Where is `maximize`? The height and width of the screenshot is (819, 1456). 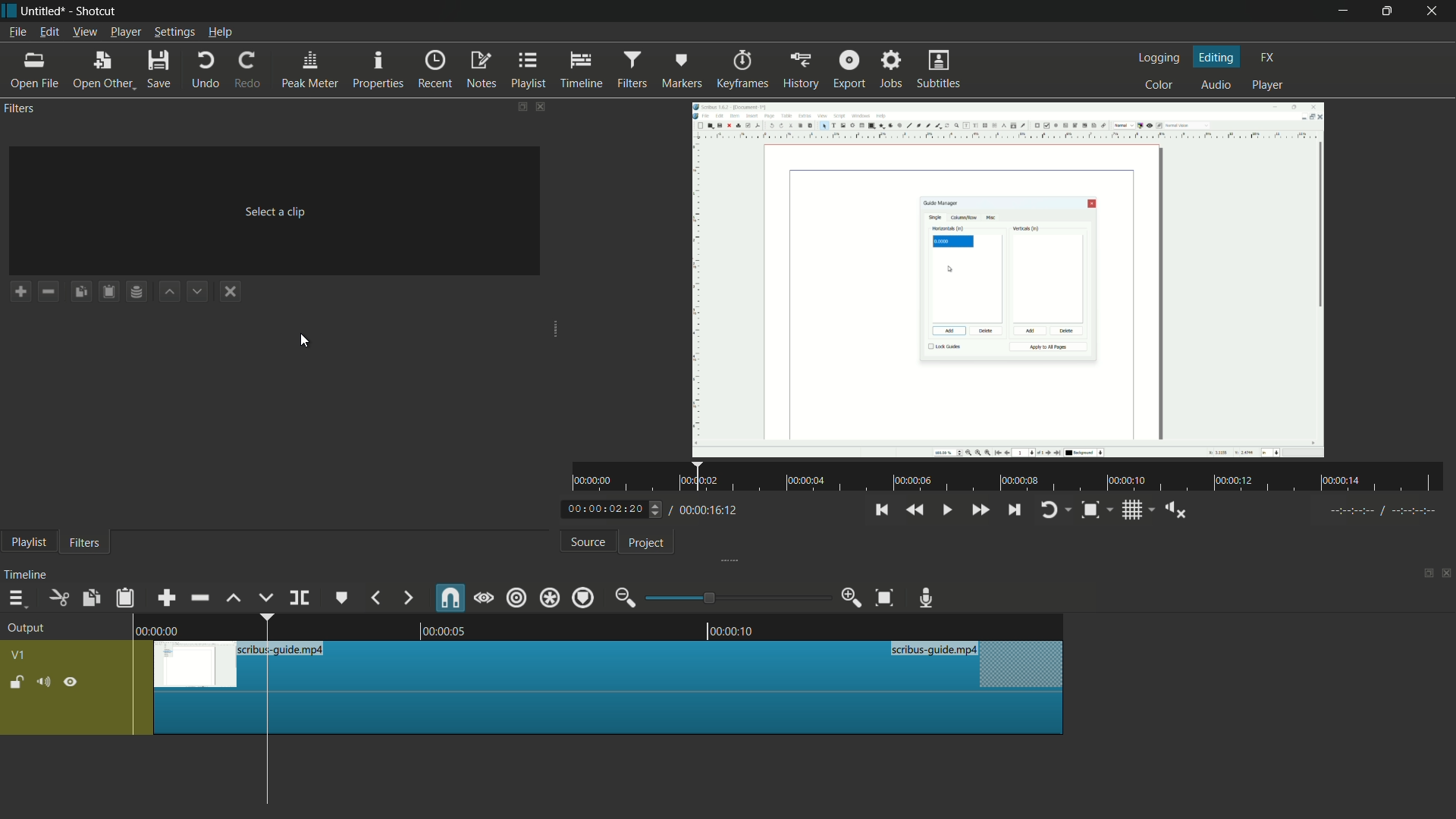 maximize is located at coordinates (1389, 11).